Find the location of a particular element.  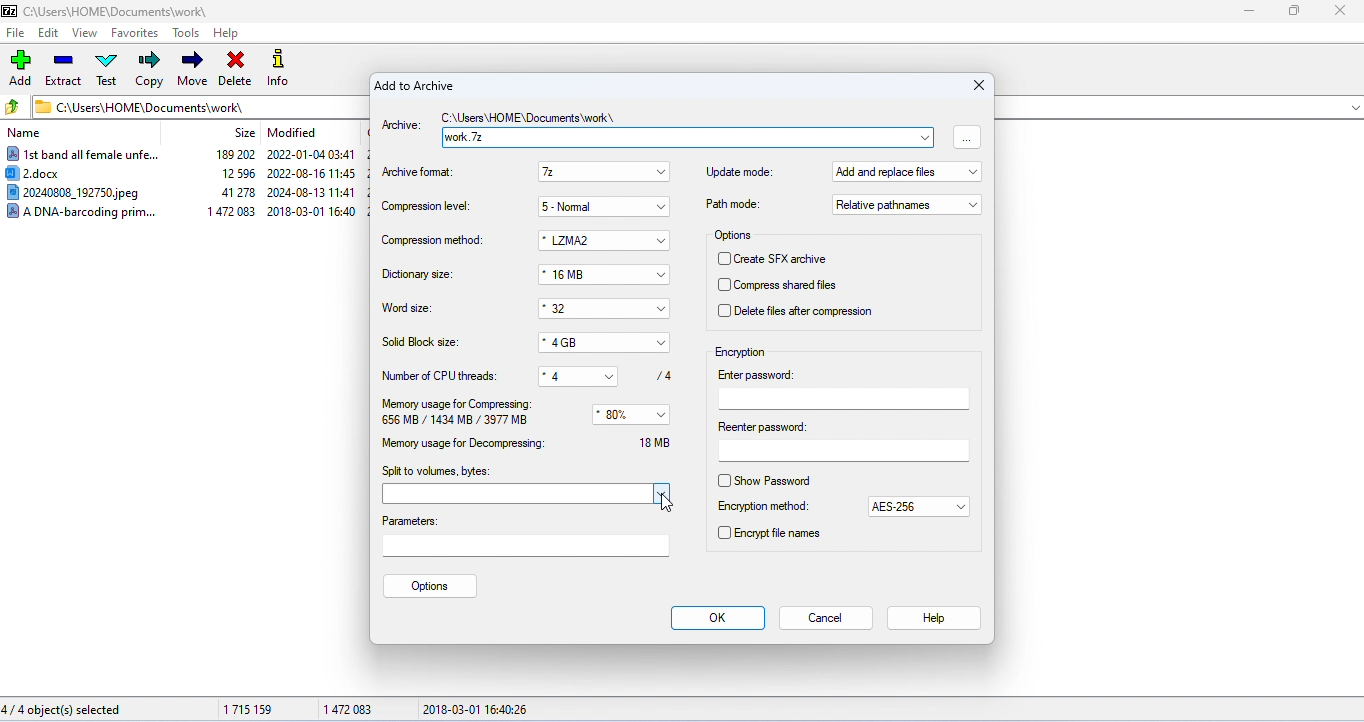

options is located at coordinates (736, 236).